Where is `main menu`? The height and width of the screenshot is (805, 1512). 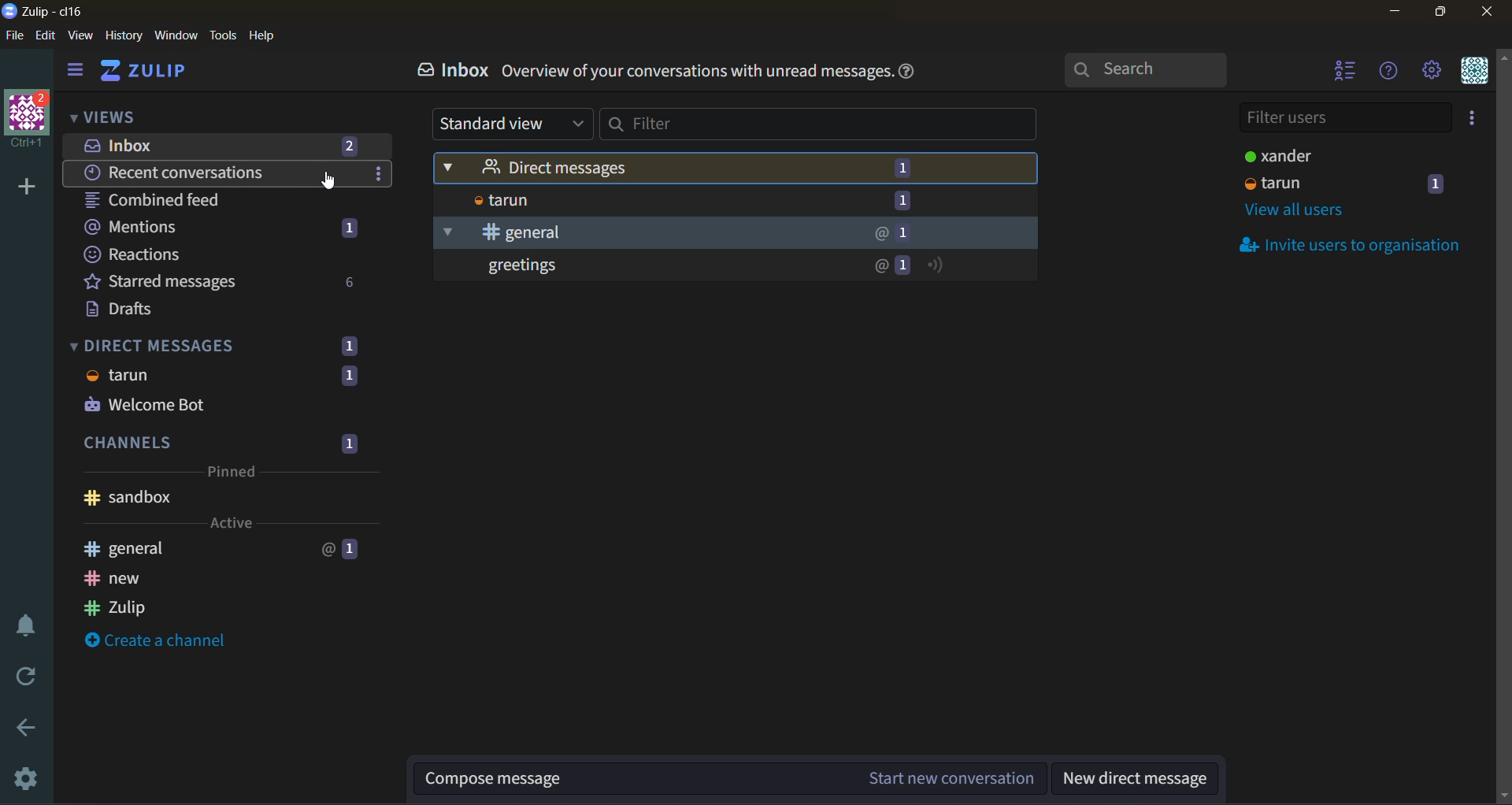 main menu is located at coordinates (1437, 72).